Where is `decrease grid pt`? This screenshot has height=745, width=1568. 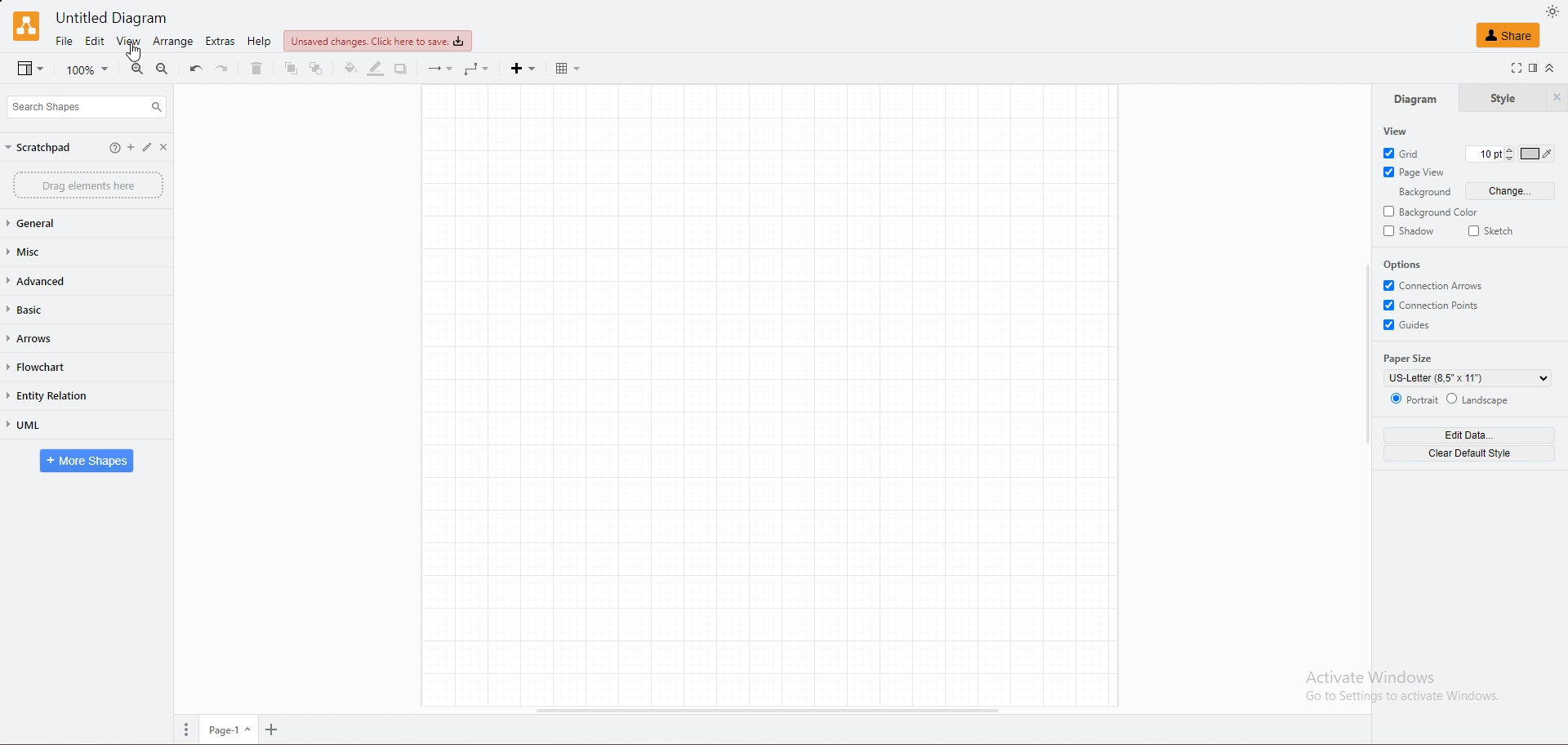
decrease grid pt is located at coordinates (1509, 160).